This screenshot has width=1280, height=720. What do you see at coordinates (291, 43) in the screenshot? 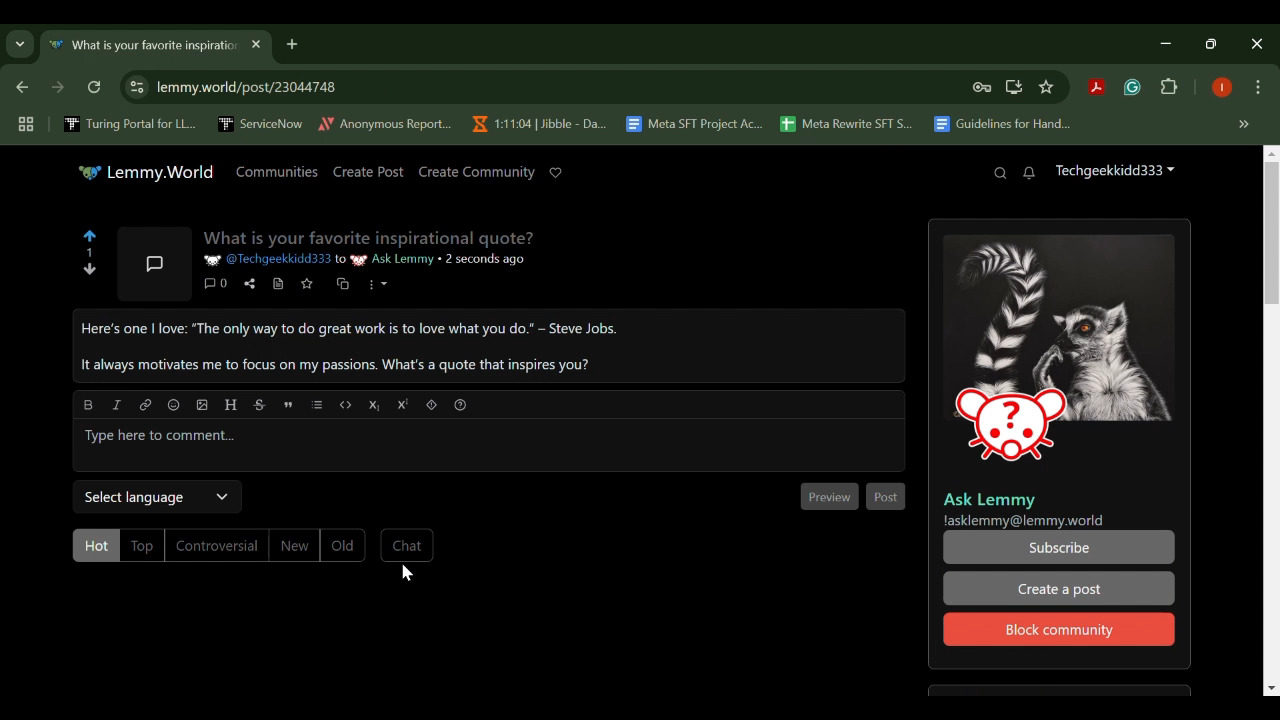
I see `Add Tab` at bounding box center [291, 43].